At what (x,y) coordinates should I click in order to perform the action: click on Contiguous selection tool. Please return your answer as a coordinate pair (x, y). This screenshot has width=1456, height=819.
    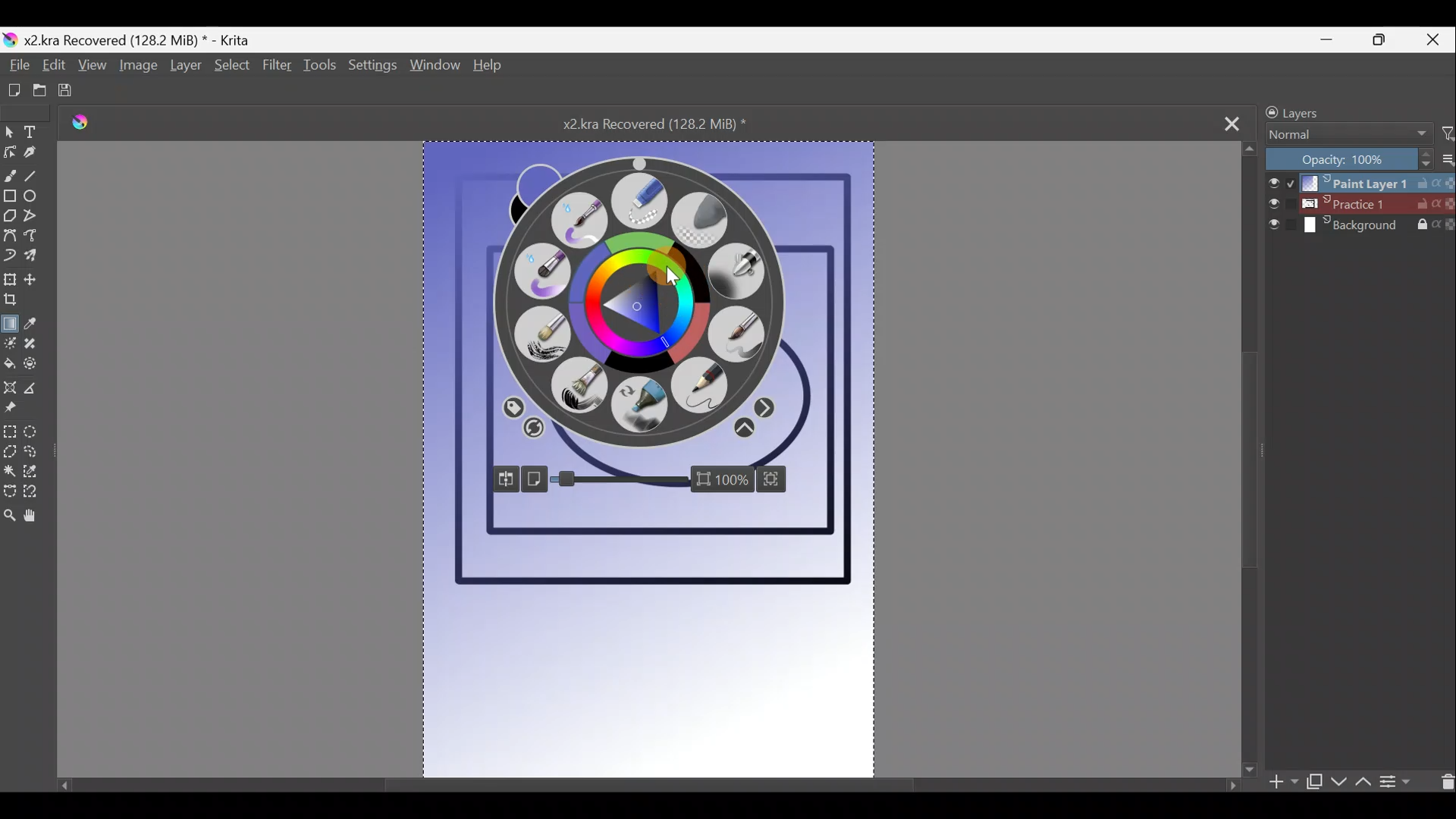
    Looking at the image, I should click on (10, 472).